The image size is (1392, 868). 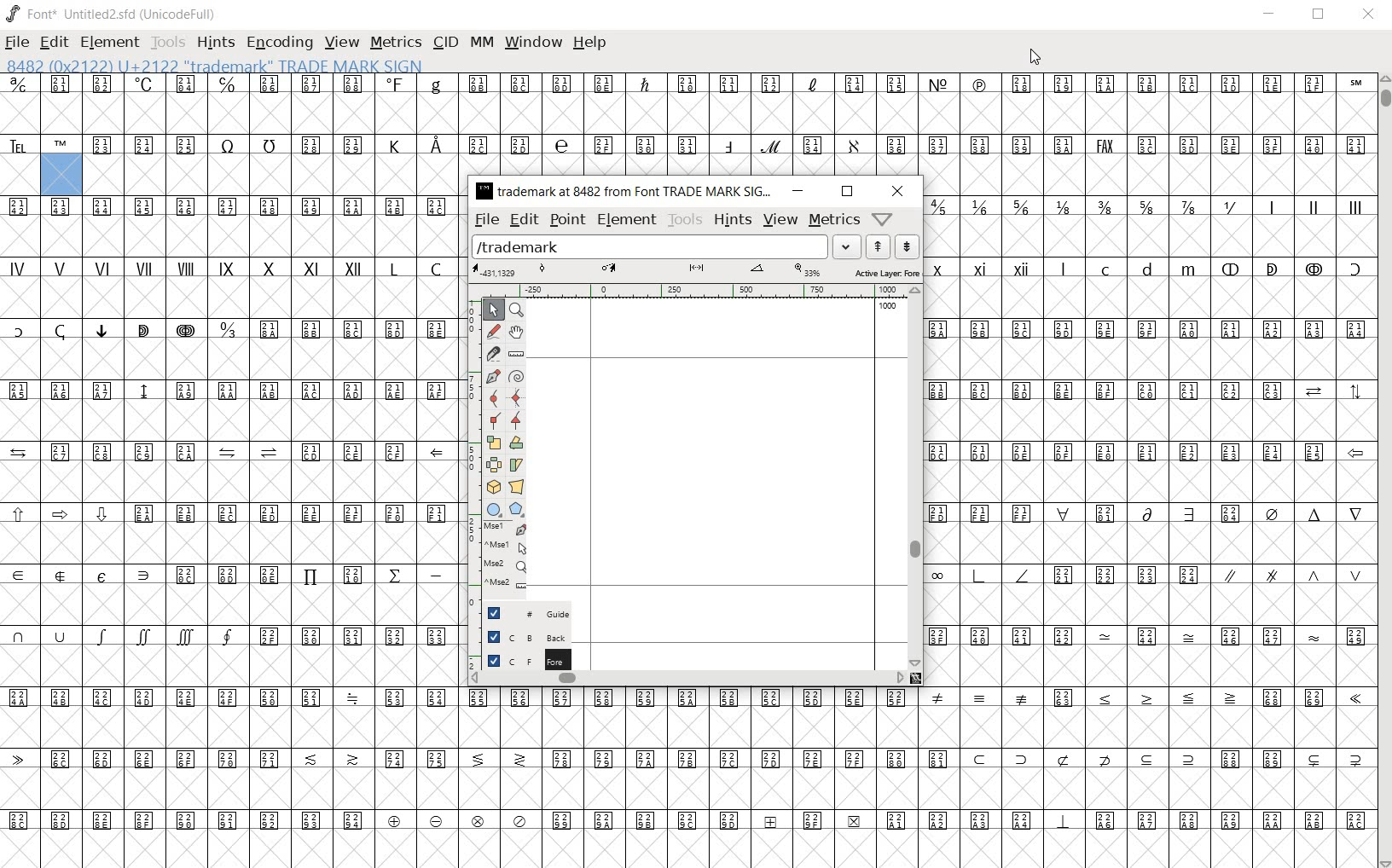 What do you see at coordinates (988, 286) in the screenshot?
I see `roman characters` at bounding box center [988, 286].